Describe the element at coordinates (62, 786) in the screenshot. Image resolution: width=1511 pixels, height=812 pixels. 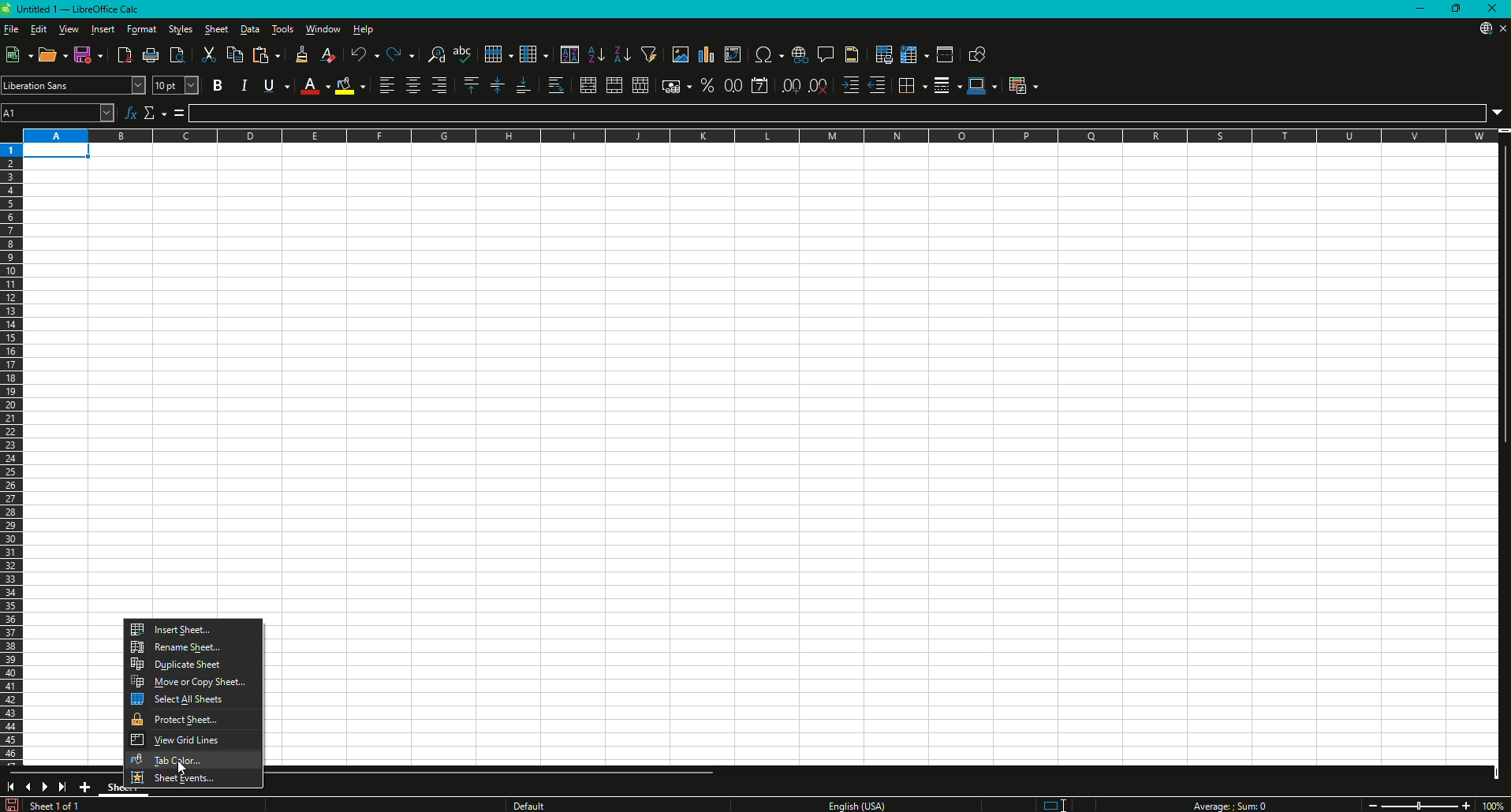
I see `Scroll to last sheet` at that location.